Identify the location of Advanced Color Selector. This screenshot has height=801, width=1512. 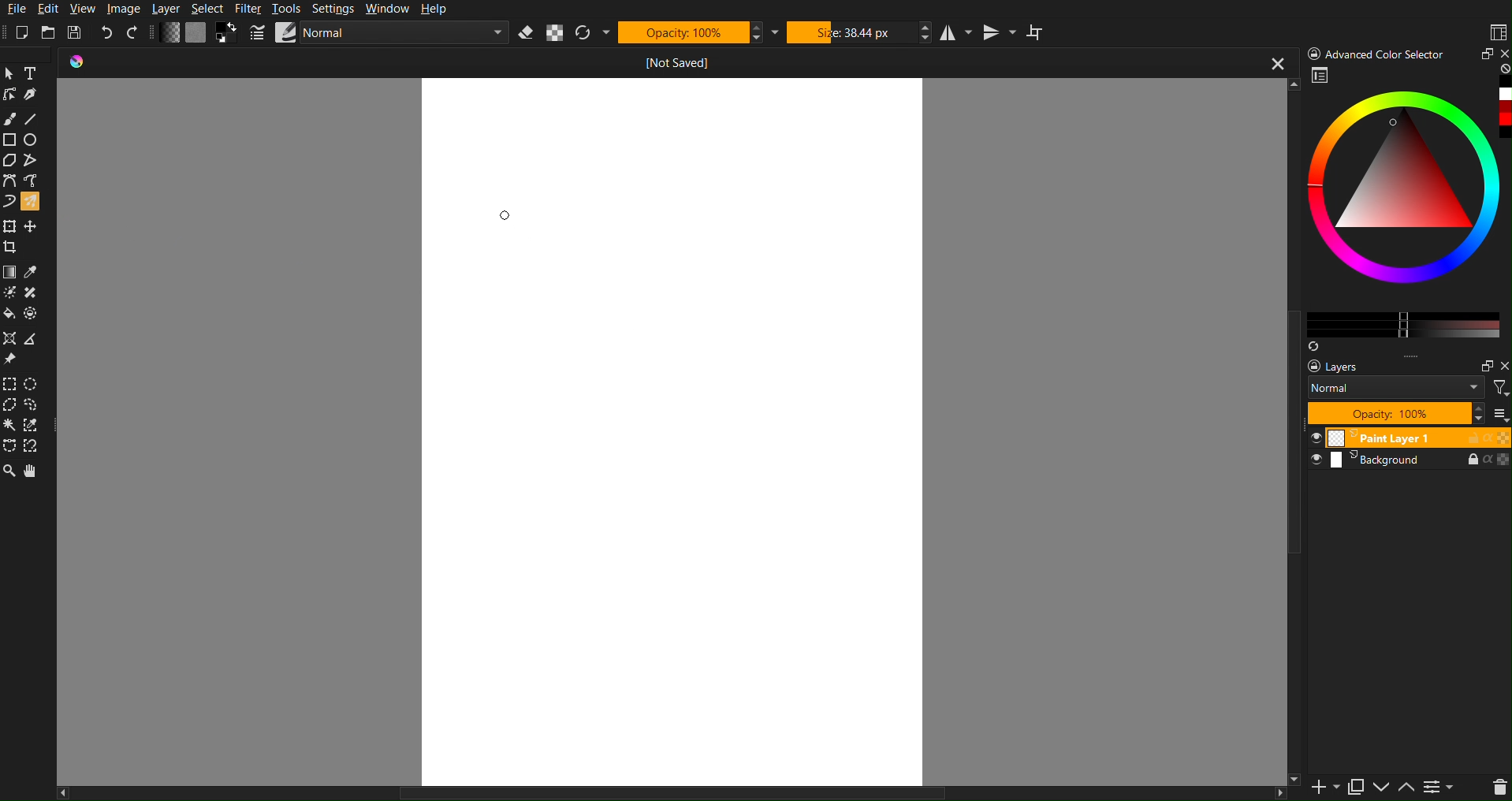
(1407, 208).